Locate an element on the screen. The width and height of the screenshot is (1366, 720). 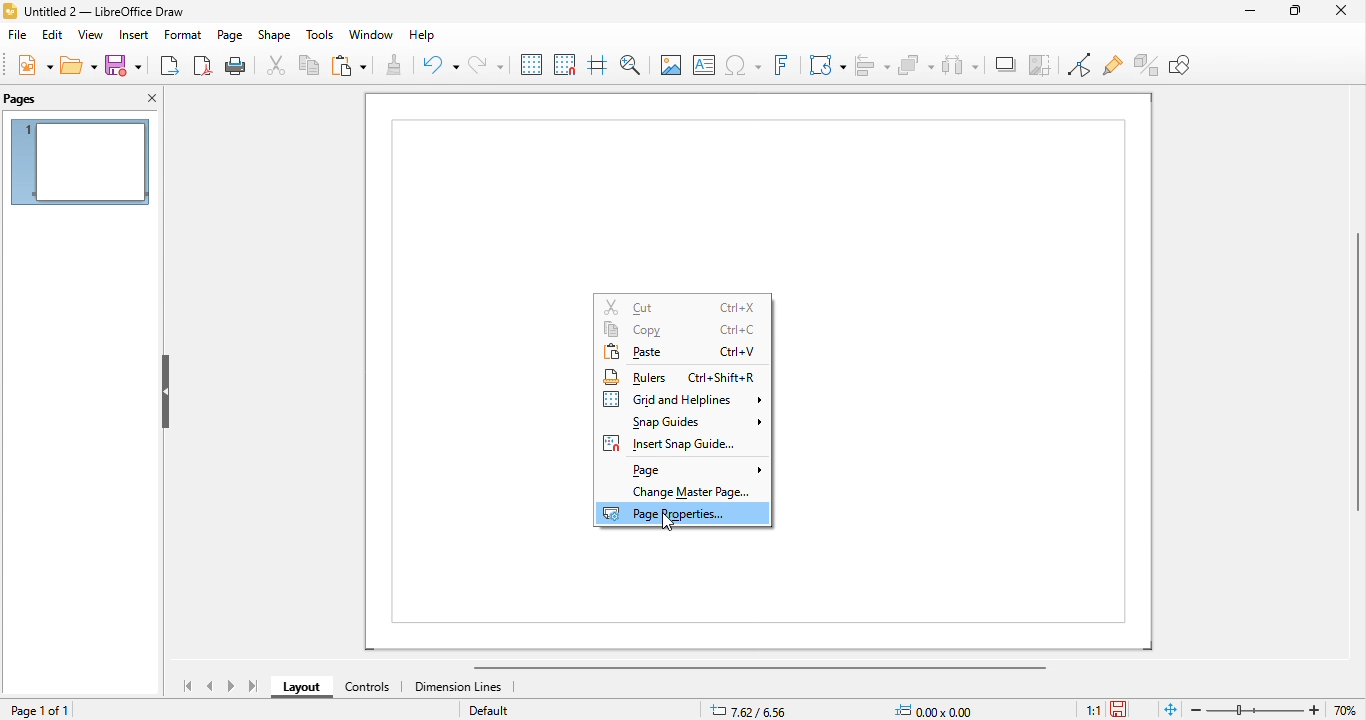
change master page is located at coordinates (682, 492).